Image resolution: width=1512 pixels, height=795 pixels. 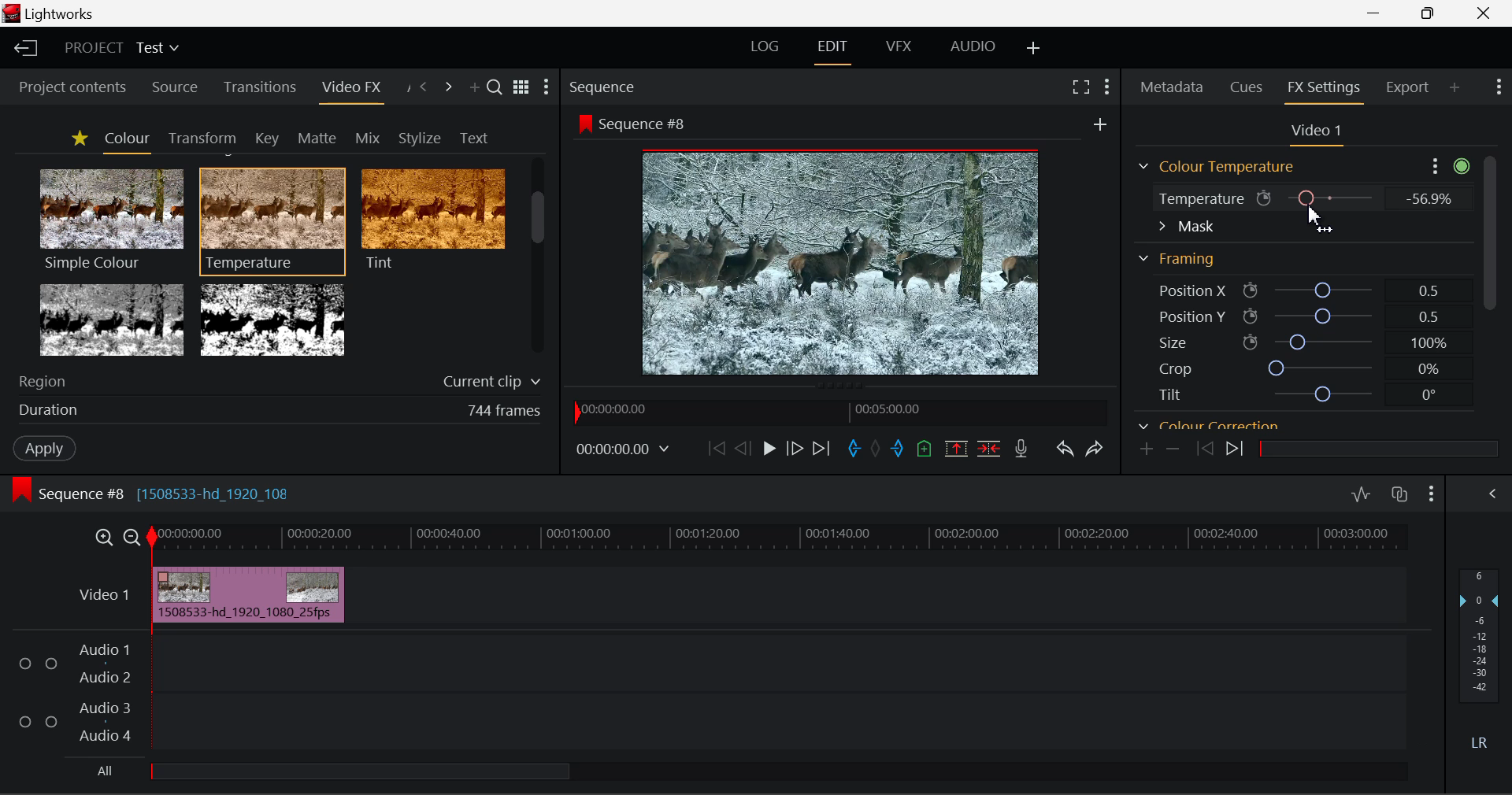 What do you see at coordinates (1320, 219) in the screenshot?
I see `Cursor` at bounding box center [1320, 219].